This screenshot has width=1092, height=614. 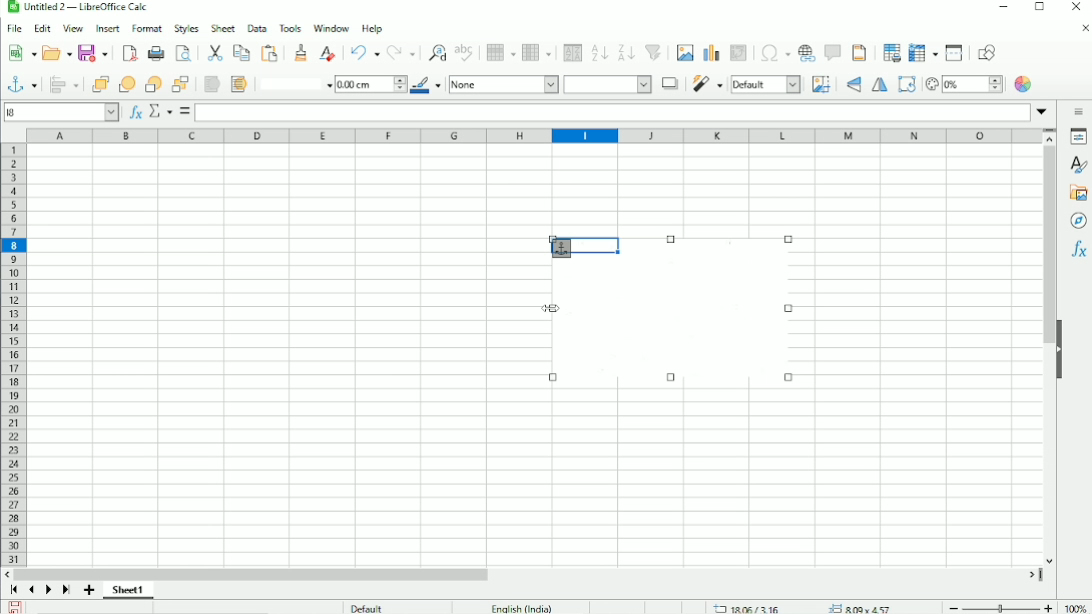 What do you see at coordinates (550, 85) in the screenshot?
I see `Area style` at bounding box center [550, 85].